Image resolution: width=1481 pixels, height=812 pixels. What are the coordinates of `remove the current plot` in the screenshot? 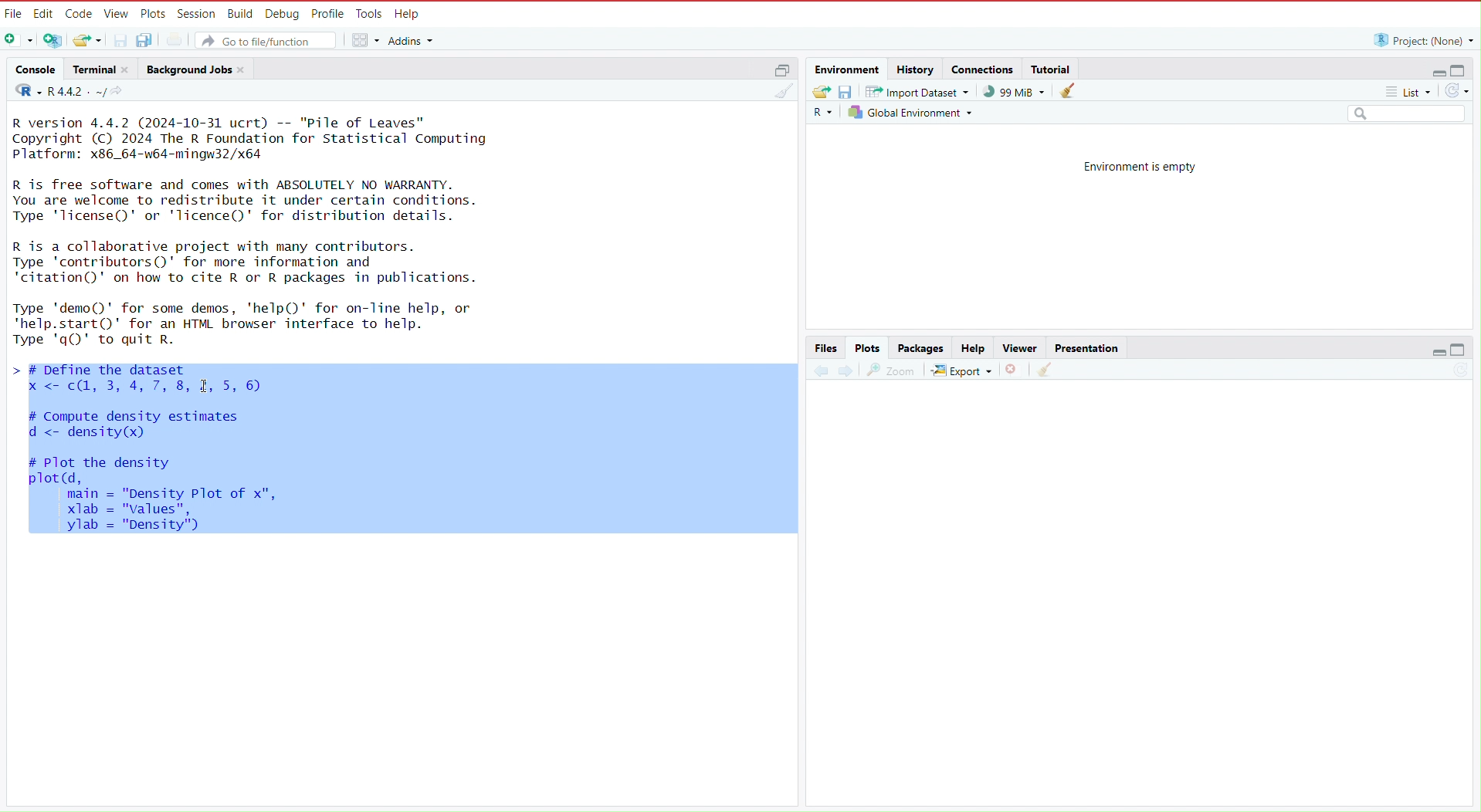 It's located at (1015, 370).